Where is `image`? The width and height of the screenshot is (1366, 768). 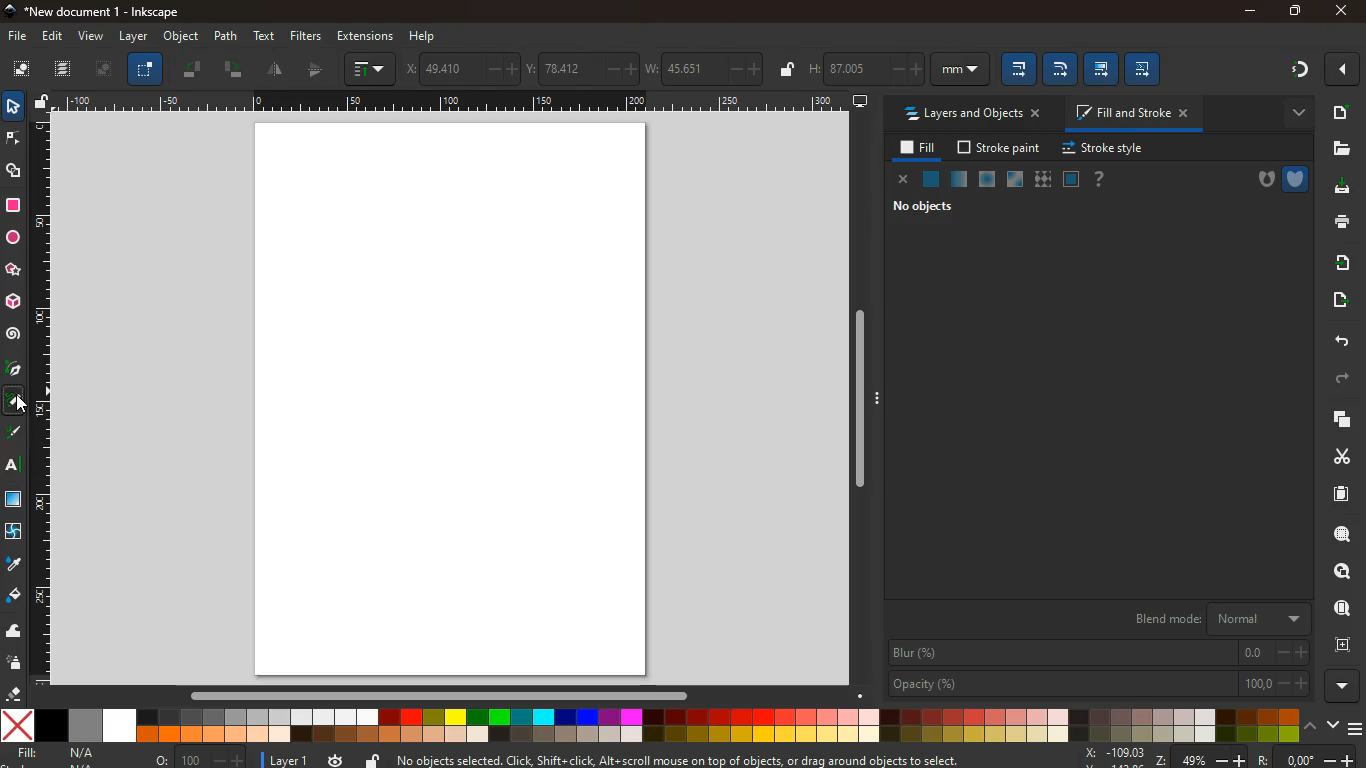 image is located at coordinates (20, 67).